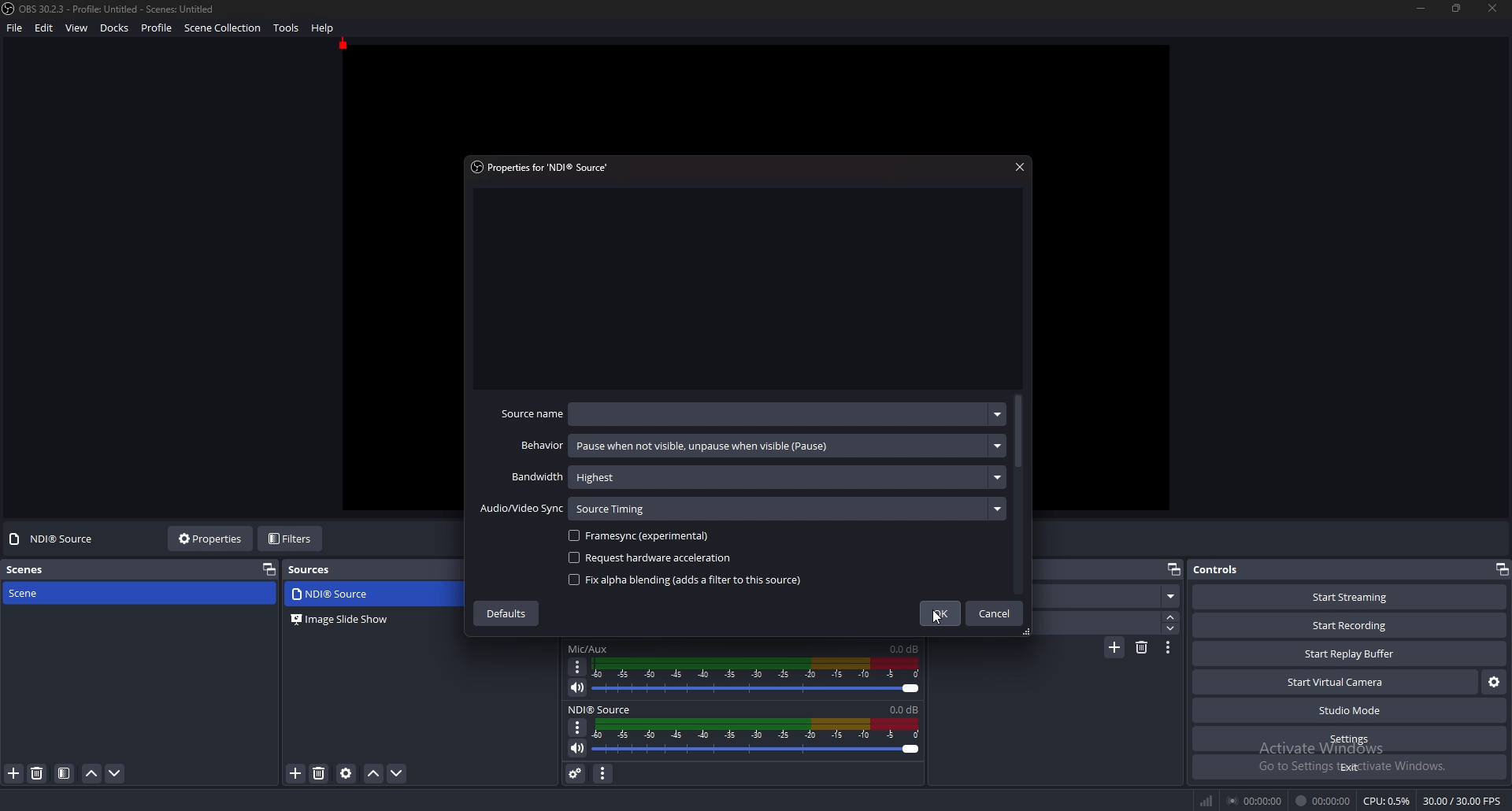  What do you see at coordinates (646, 536) in the screenshot?
I see `frame sync` at bounding box center [646, 536].